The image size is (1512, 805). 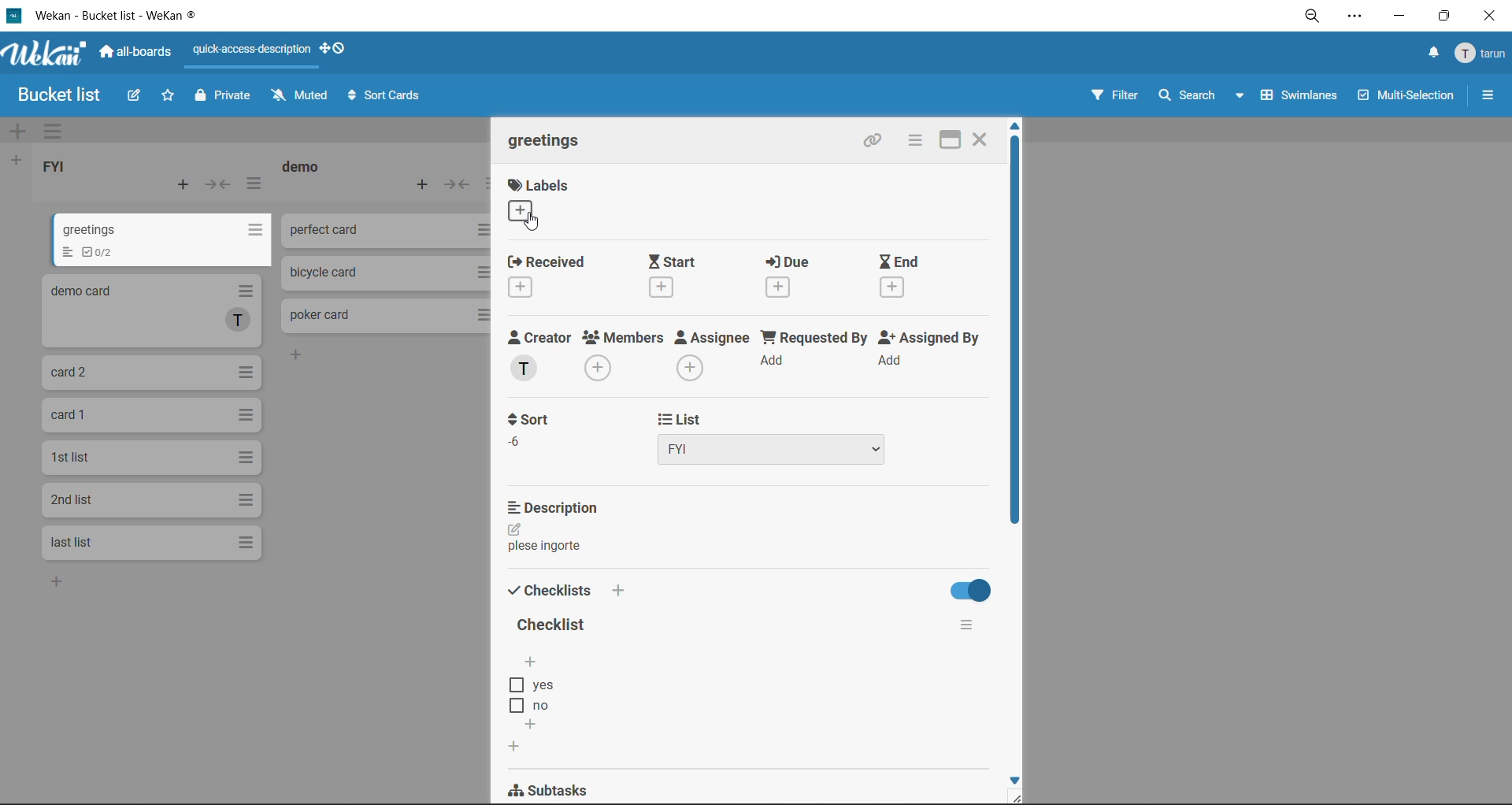 What do you see at coordinates (561, 788) in the screenshot?
I see `subtasks` at bounding box center [561, 788].